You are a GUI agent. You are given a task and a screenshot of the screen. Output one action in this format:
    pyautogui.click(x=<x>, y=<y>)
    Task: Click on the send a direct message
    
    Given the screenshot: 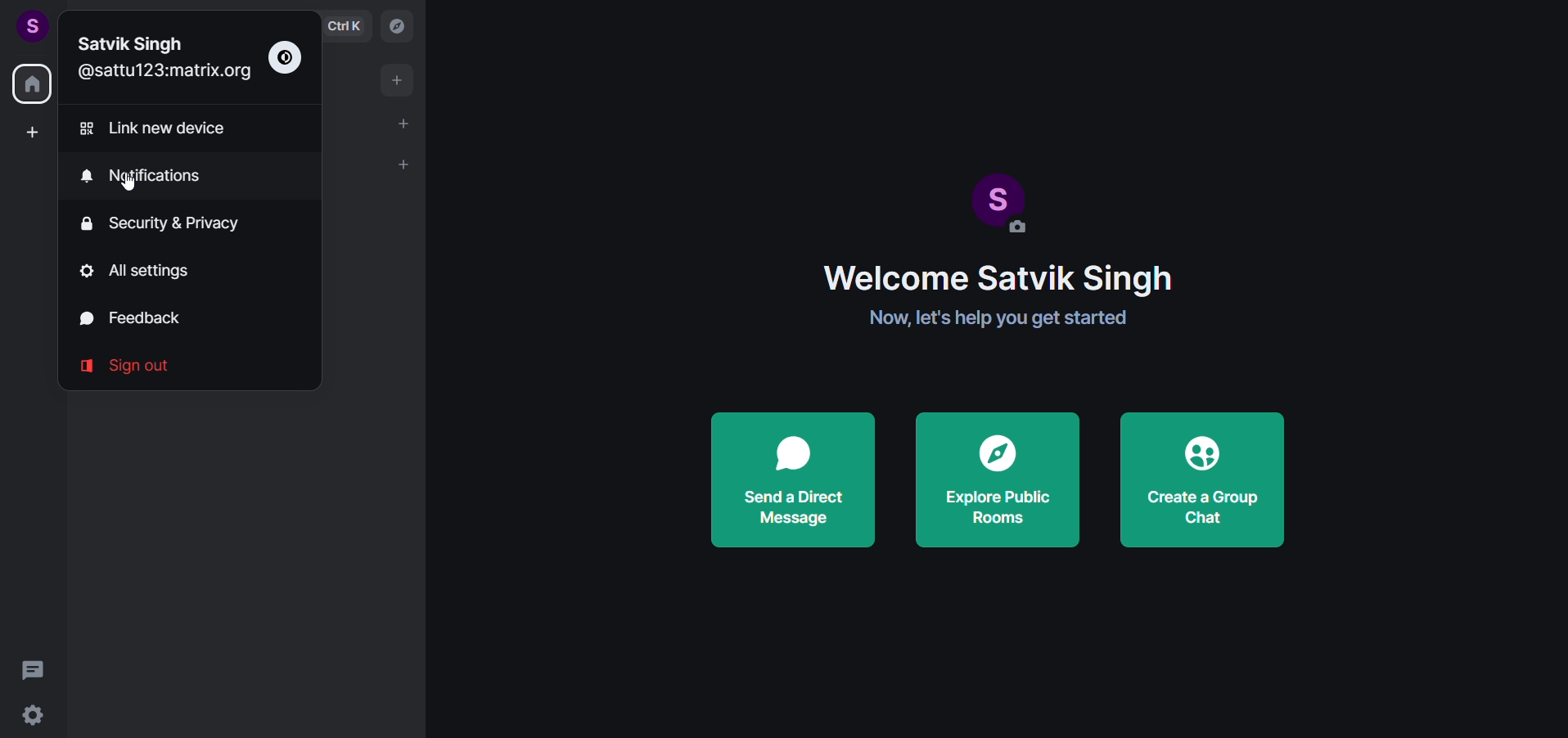 What is the action you would take?
    pyautogui.click(x=788, y=484)
    